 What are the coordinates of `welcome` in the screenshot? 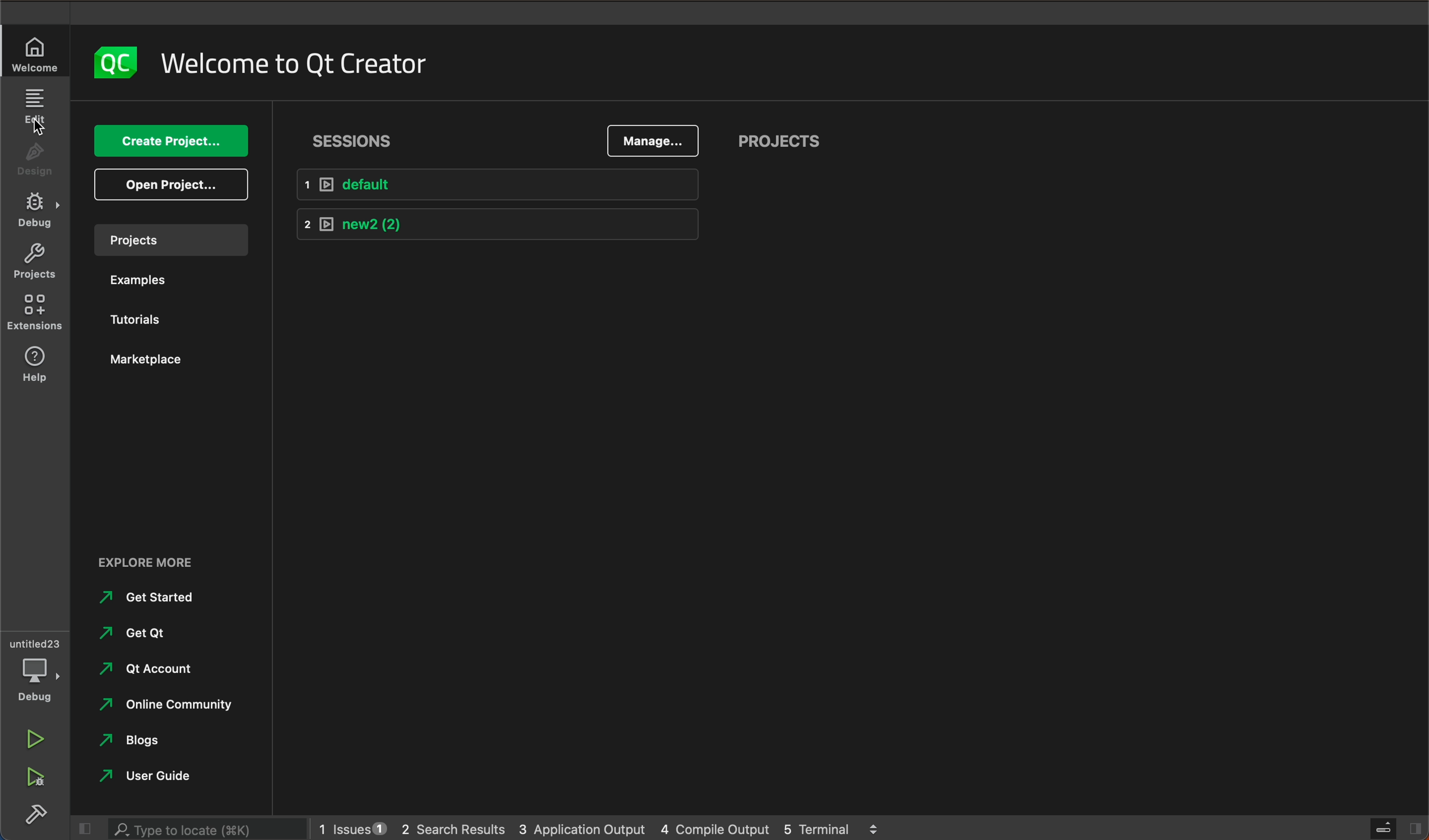 It's located at (299, 60).